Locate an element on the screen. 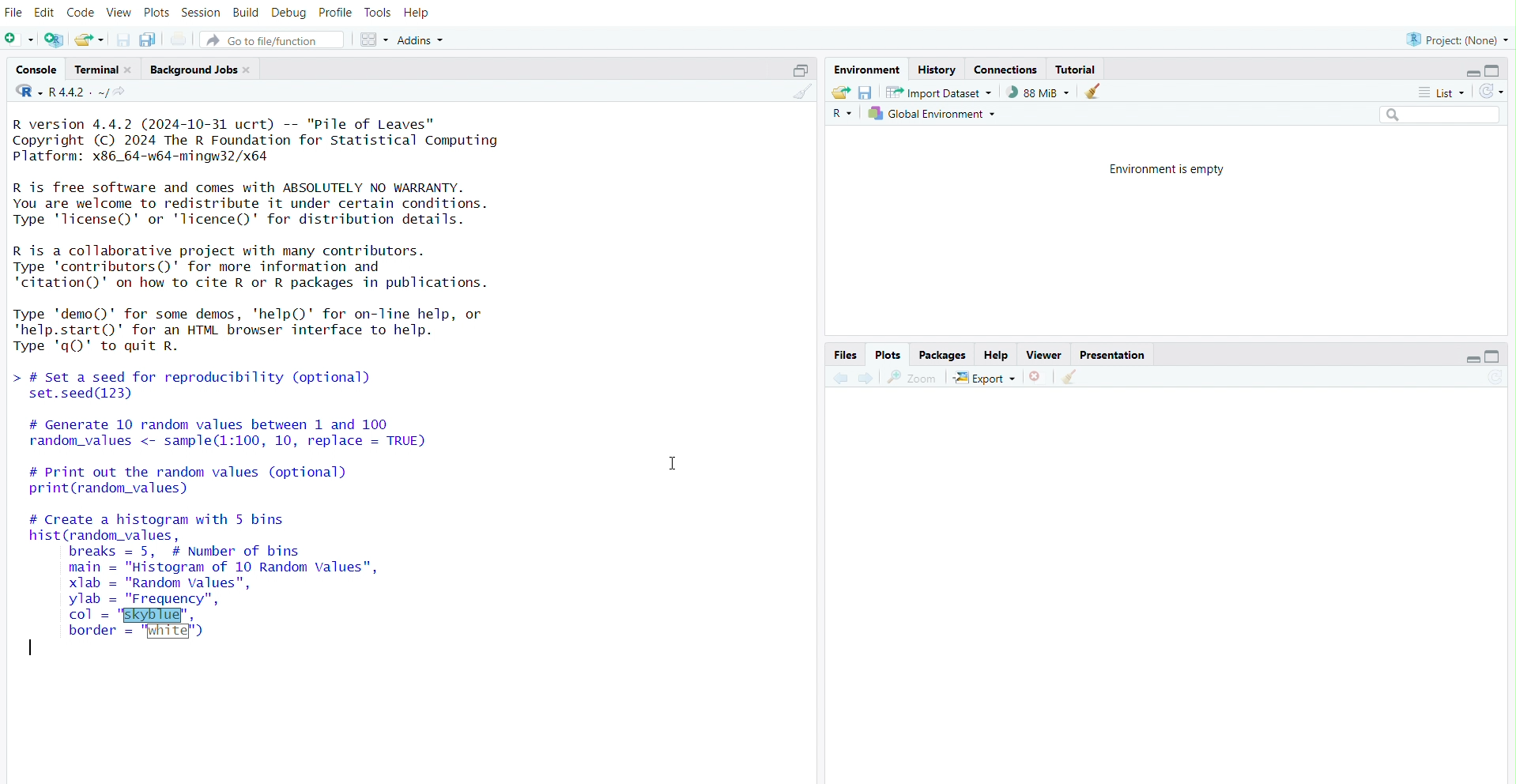  88 MiB is located at coordinates (1038, 92).